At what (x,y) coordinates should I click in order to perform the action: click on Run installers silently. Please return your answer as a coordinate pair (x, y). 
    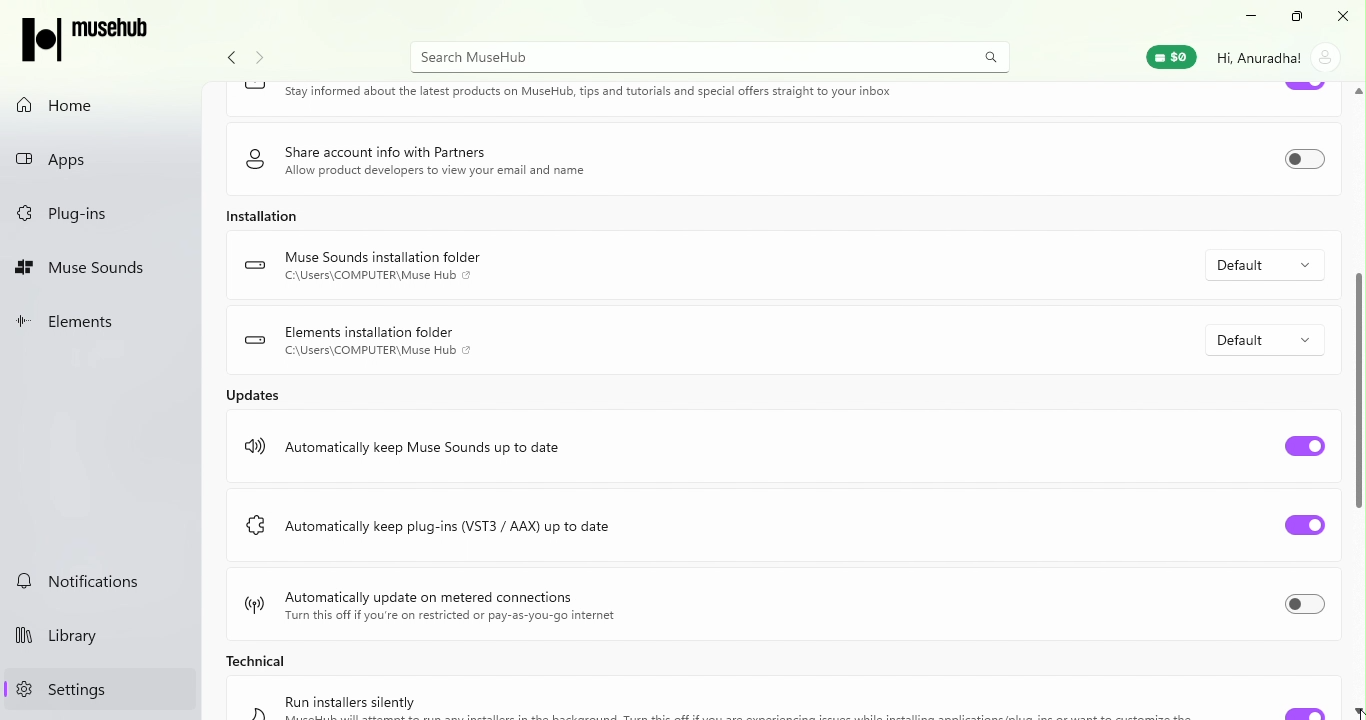
    Looking at the image, I should click on (352, 700).